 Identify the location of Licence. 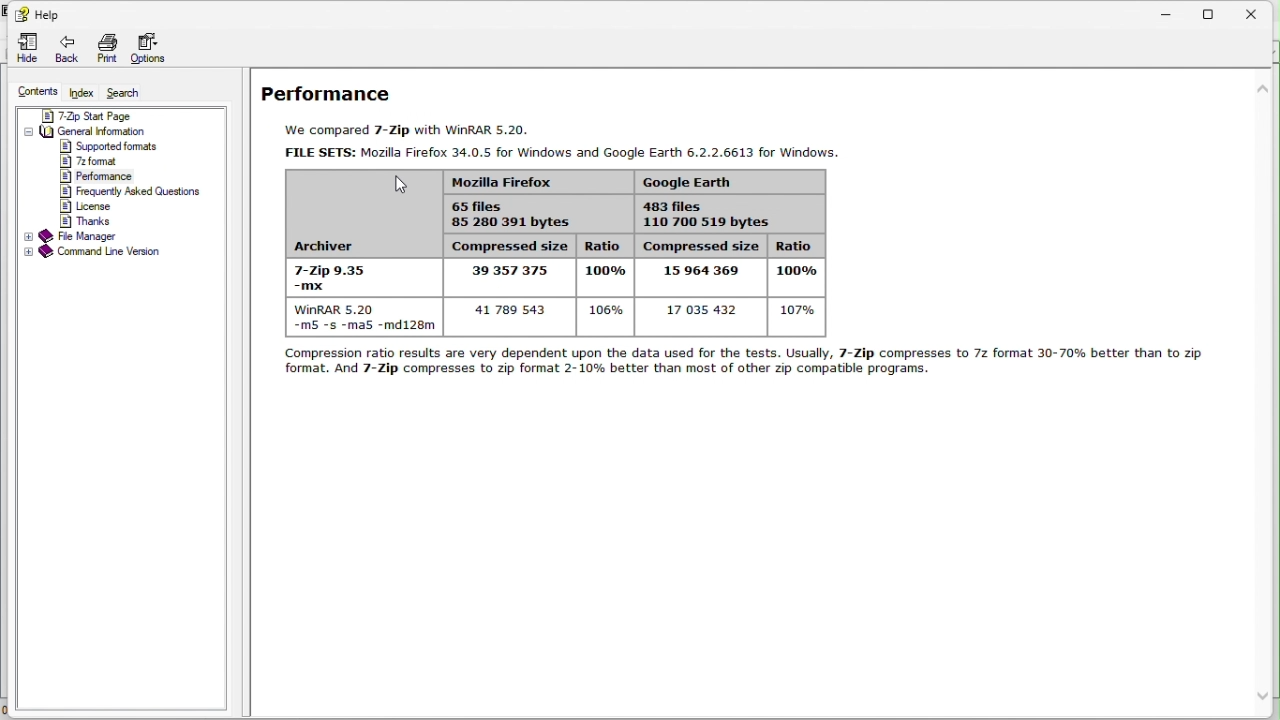
(90, 206).